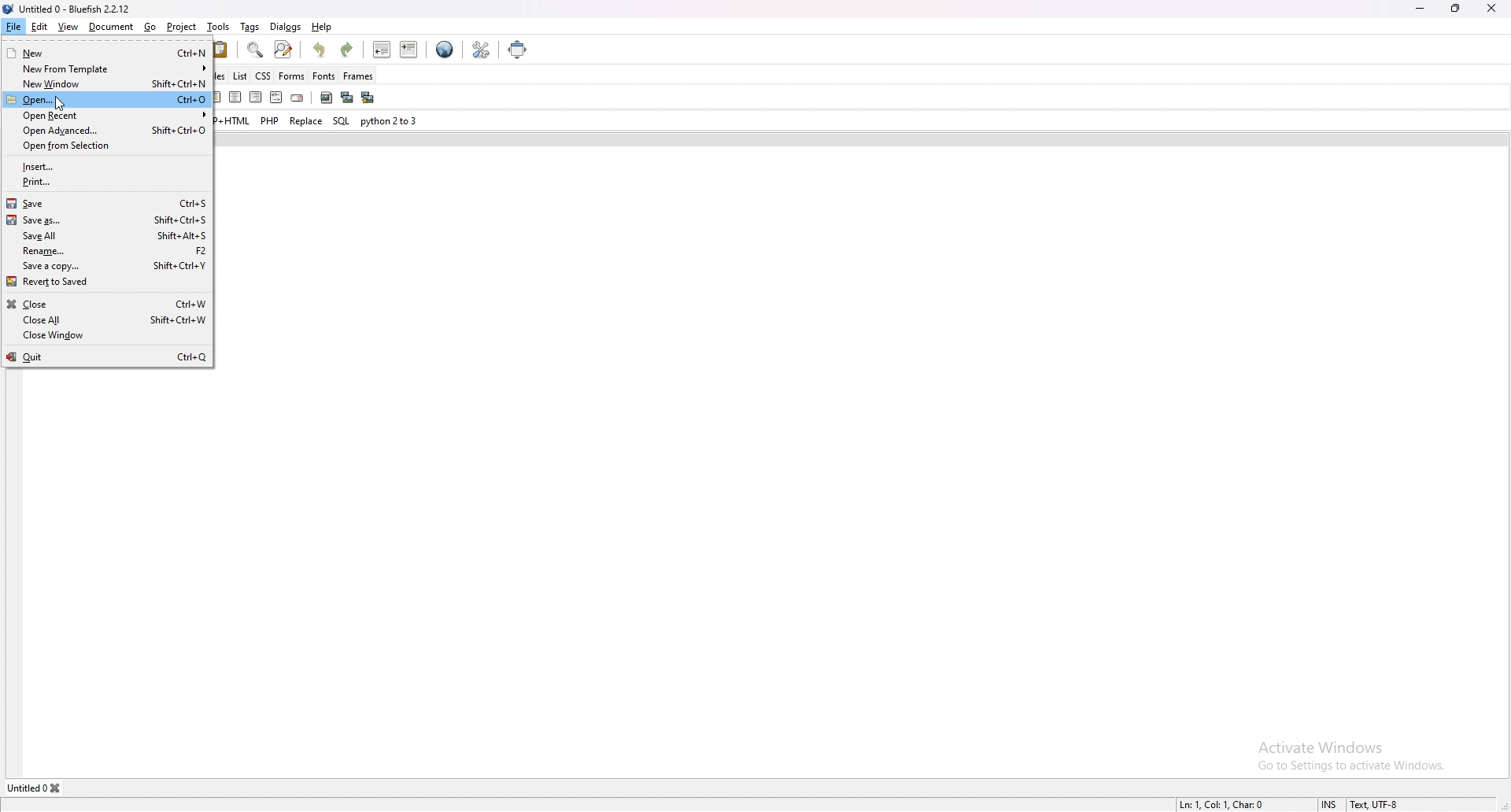  I want to click on 12], so click(201, 250).